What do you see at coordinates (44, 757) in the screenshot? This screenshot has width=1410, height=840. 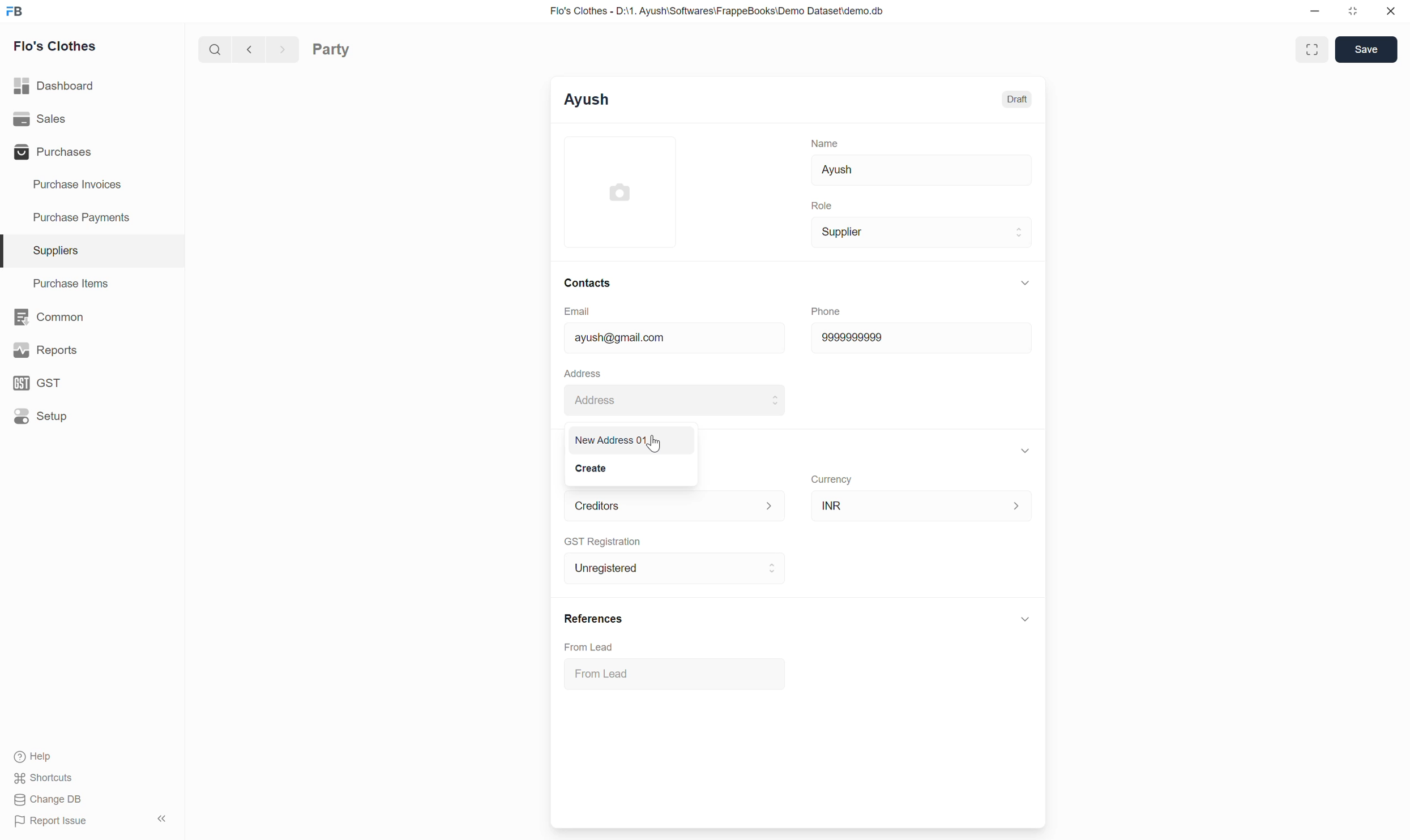 I see `Help` at bounding box center [44, 757].